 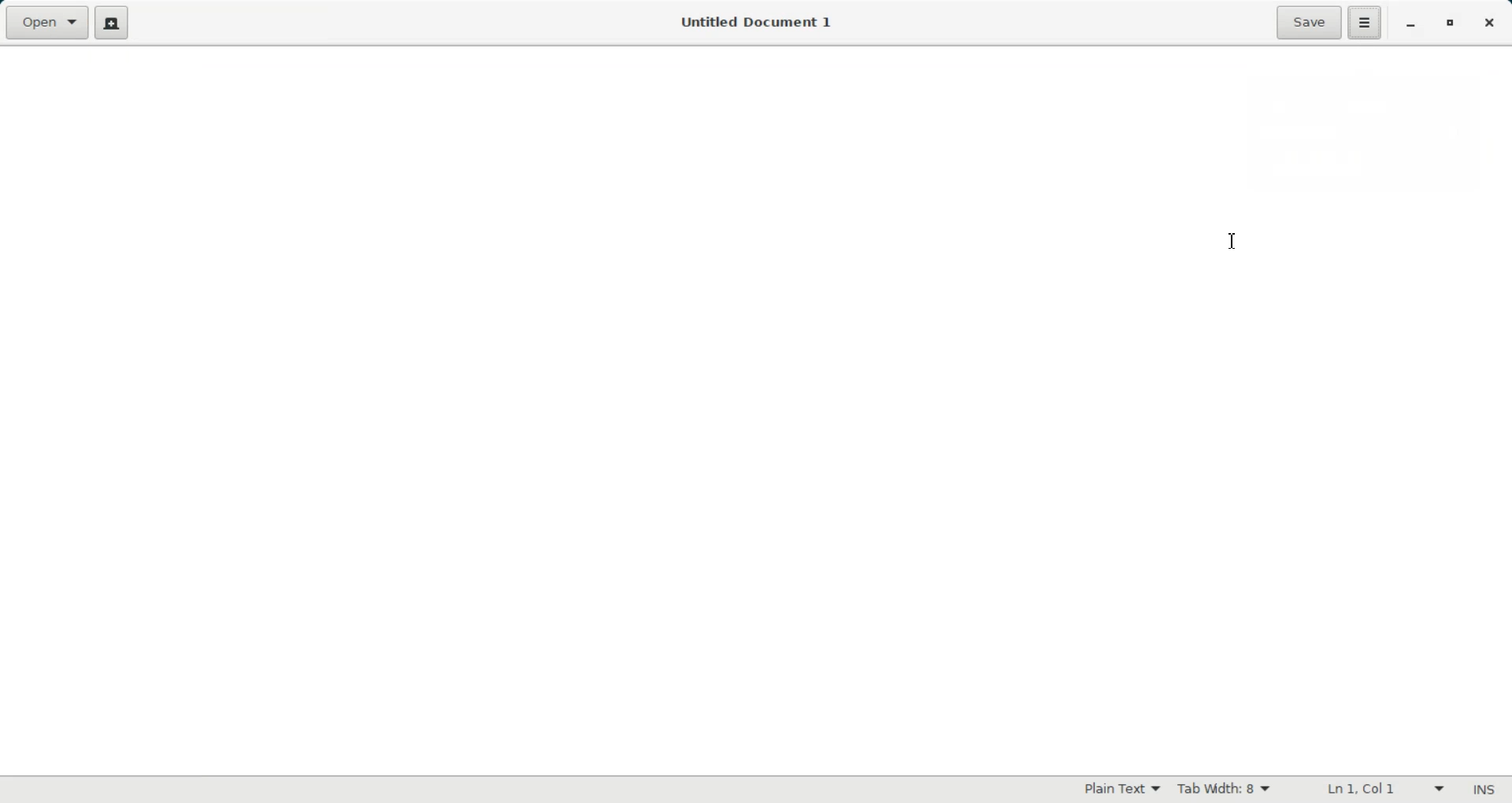 I want to click on Text Entry Pane, so click(x=757, y=410).